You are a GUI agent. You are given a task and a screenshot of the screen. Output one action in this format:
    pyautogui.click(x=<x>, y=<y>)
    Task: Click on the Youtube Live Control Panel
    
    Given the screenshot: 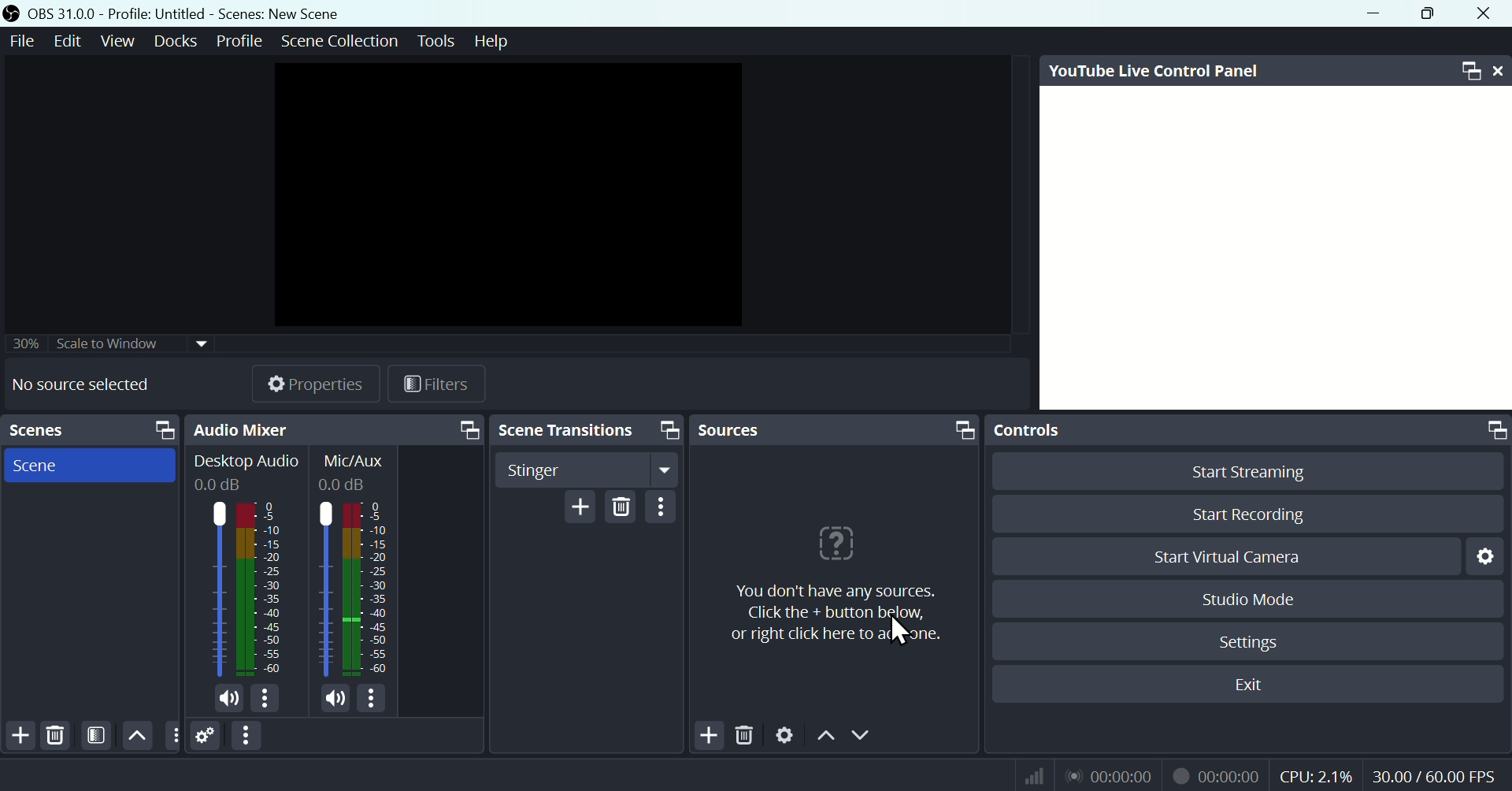 What is the action you would take?
    pyautogui.click(x=1151, y=70)
    